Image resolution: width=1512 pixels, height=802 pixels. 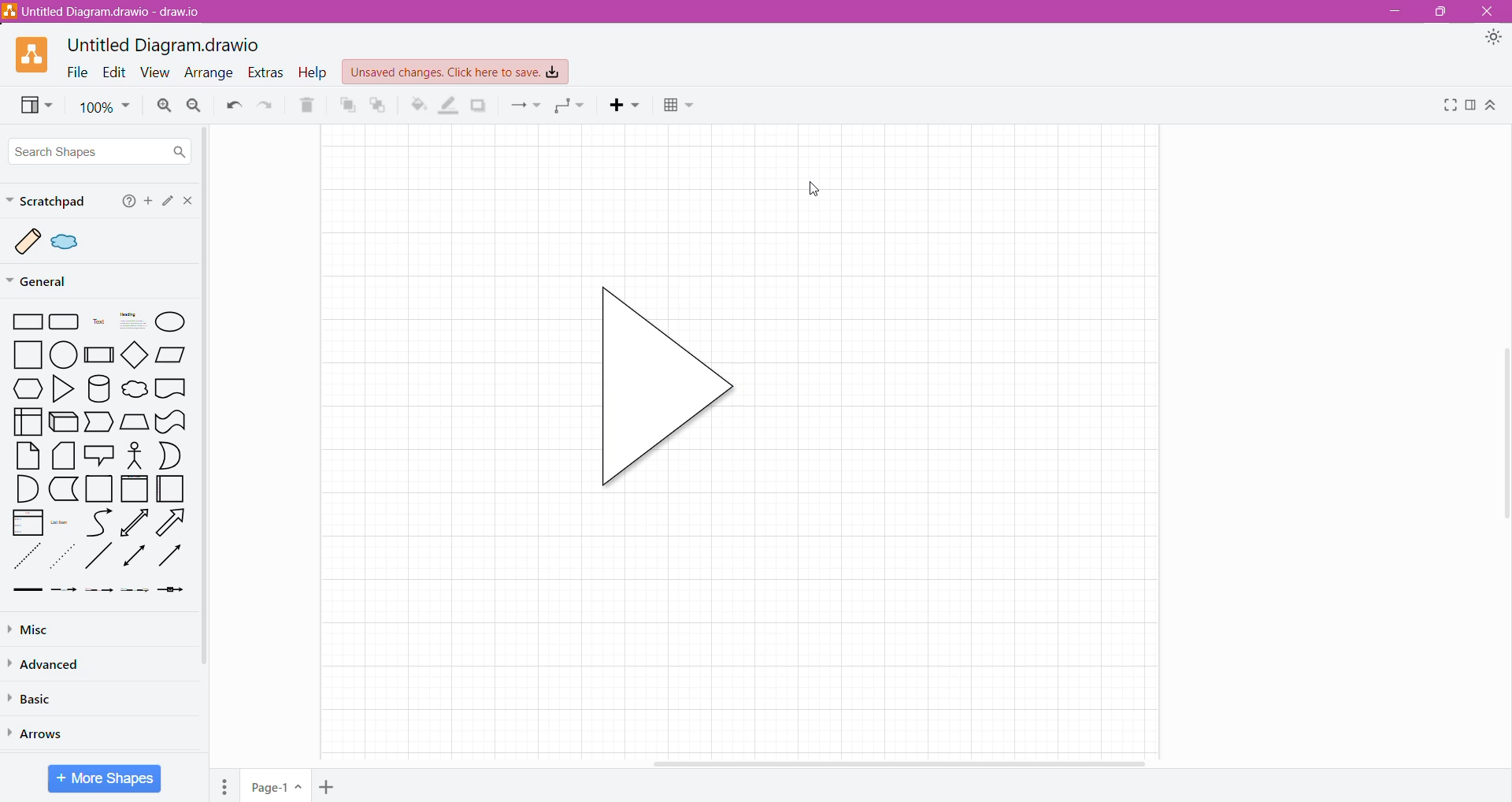 What do you see at coordinates (1470, 106) in the screenshot?
I see `Format` at bounding box center [1470, 106].